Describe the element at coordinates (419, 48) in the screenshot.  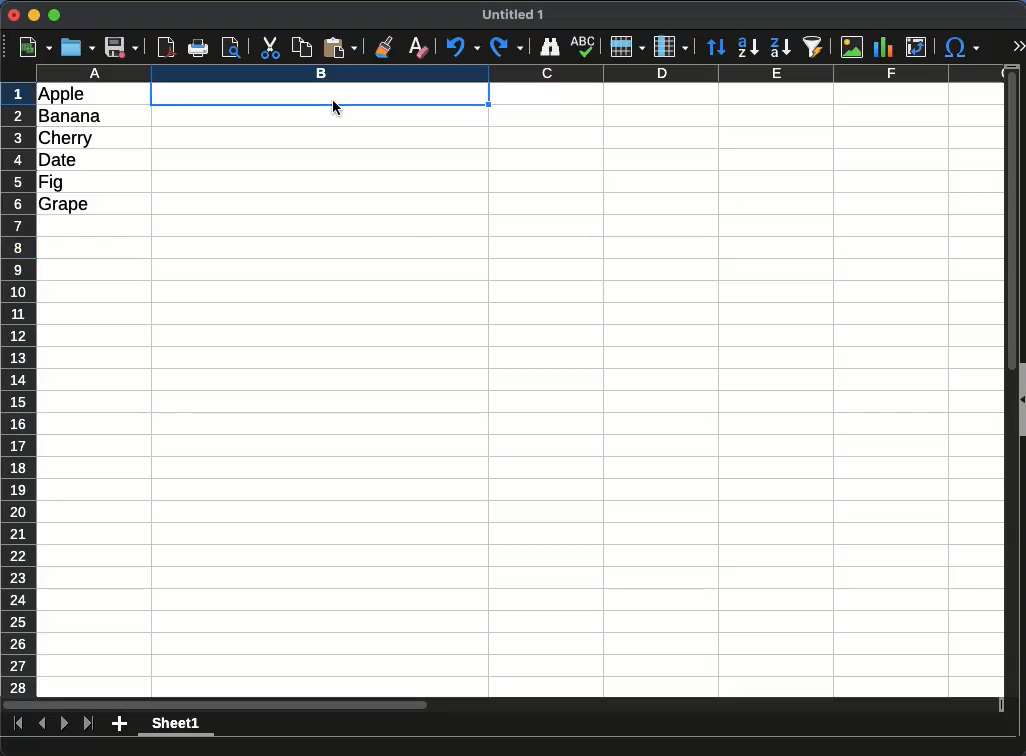
I see `clear formatting` at that location.